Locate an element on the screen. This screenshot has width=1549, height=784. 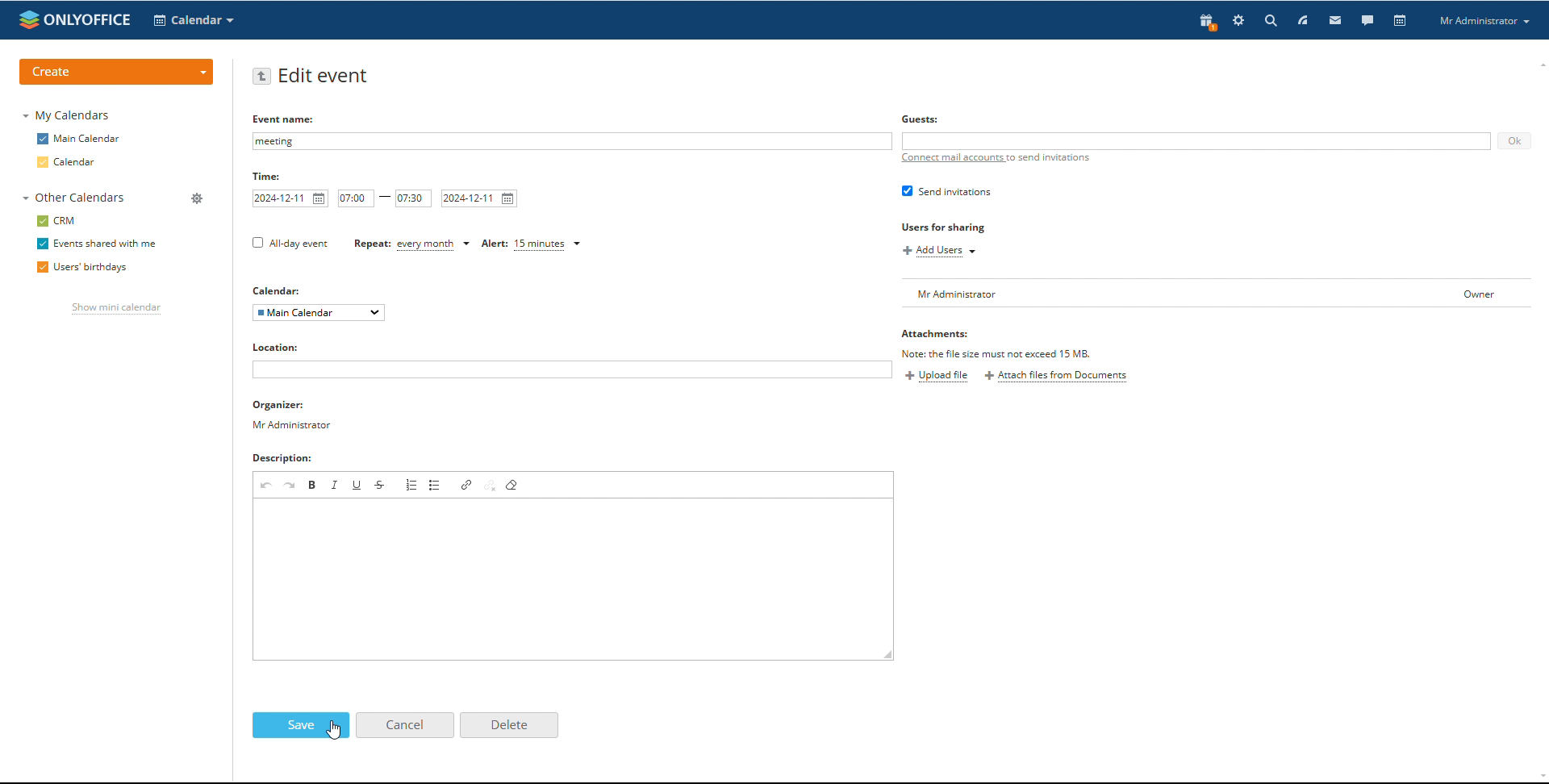
insert/remove bulleted list is located at coordinates (435, 484).